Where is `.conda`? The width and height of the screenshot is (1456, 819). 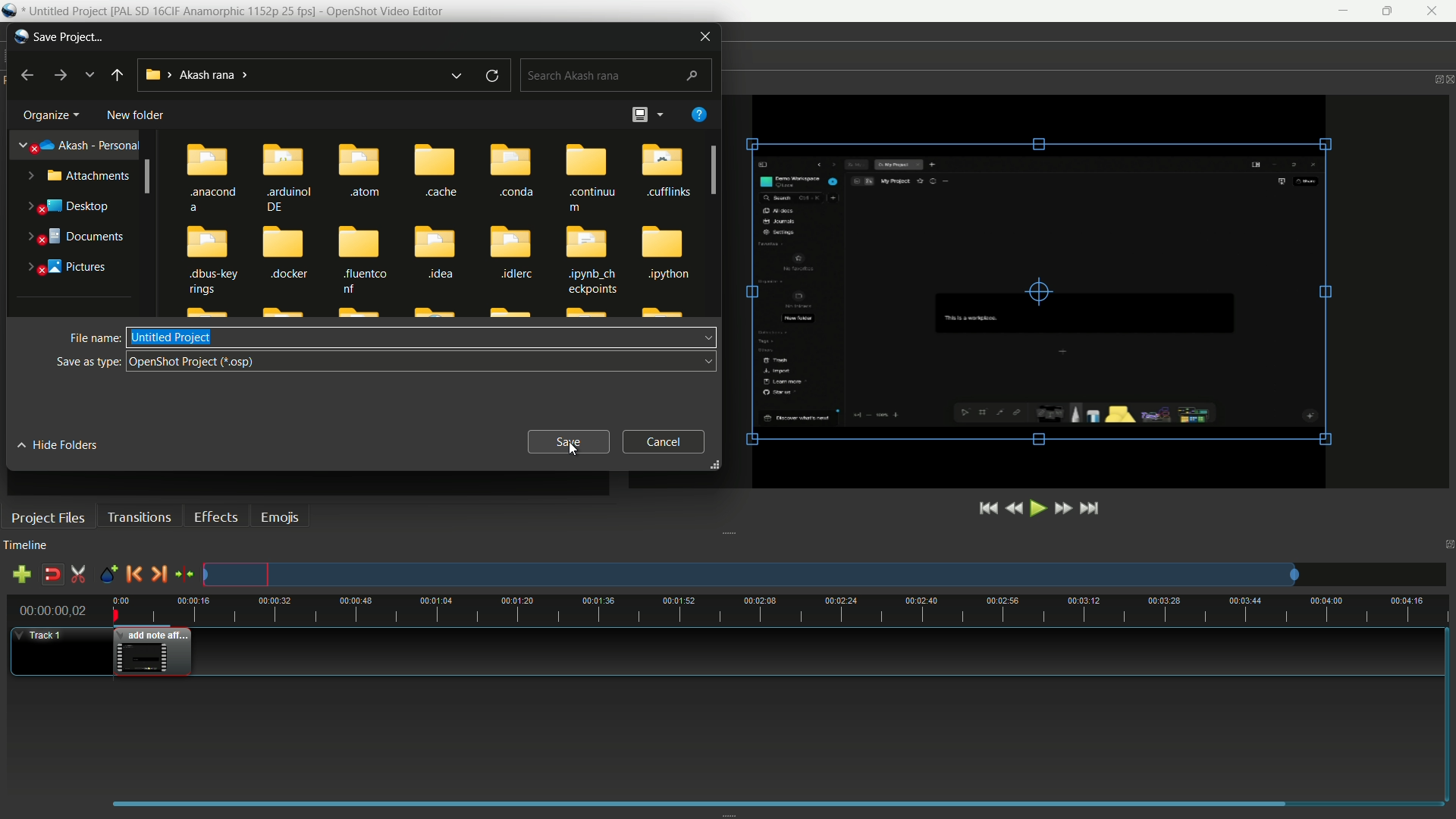
.conda is located at coordinates (517, 176).